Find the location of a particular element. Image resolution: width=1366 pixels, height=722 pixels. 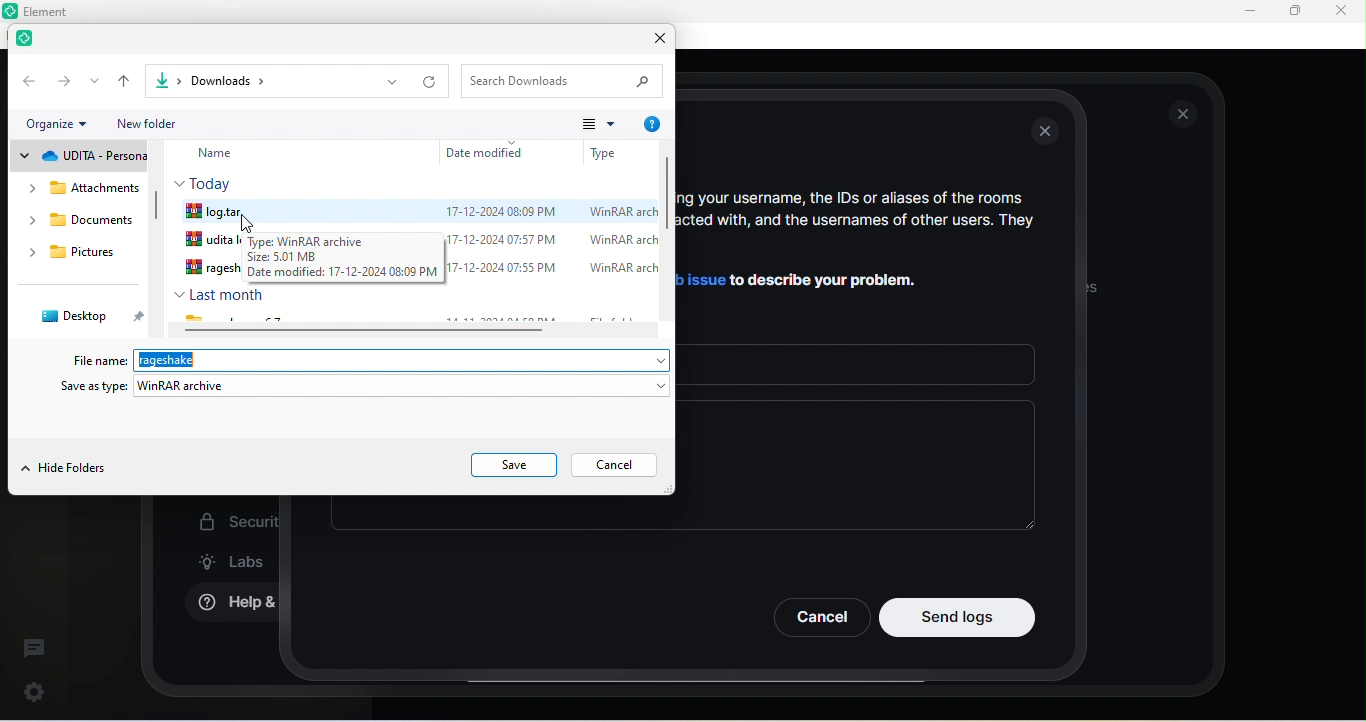

date modified is located at coordinates (490, 152).